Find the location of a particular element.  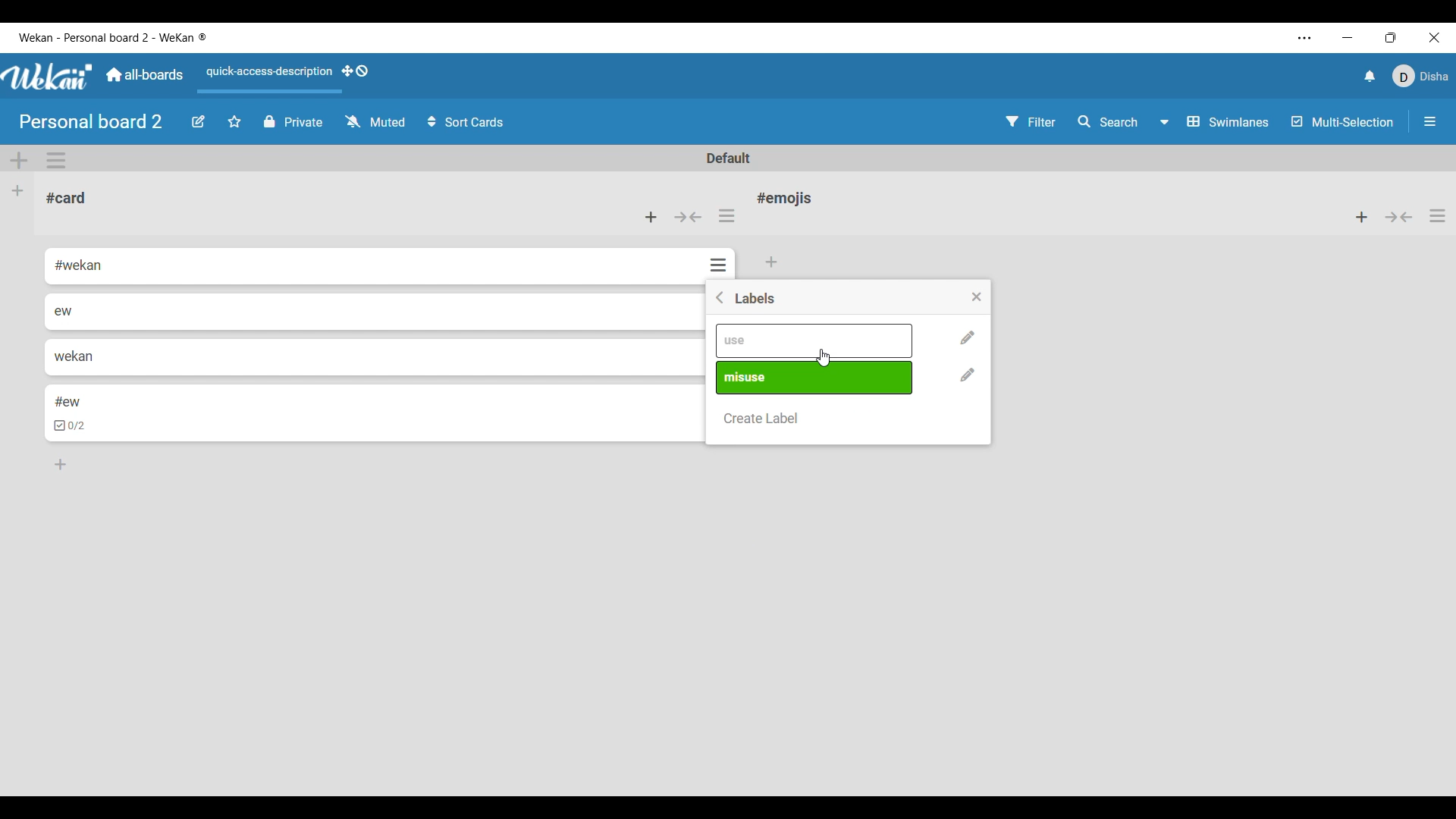

Collapse is located at coordinates (1399, 217).